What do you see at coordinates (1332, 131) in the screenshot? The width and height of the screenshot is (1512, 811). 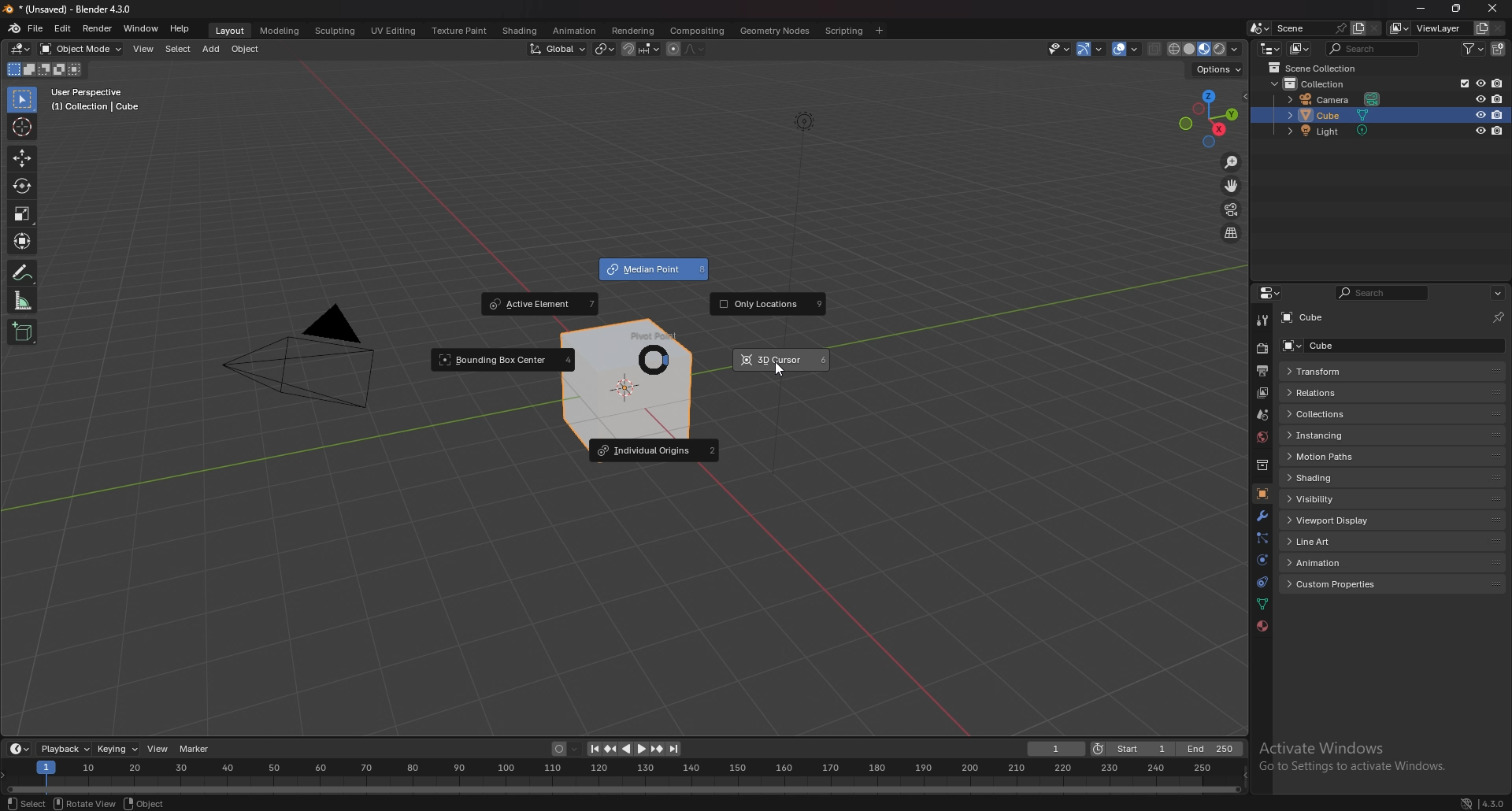 I see `light` at bounding box center [1332, 131].